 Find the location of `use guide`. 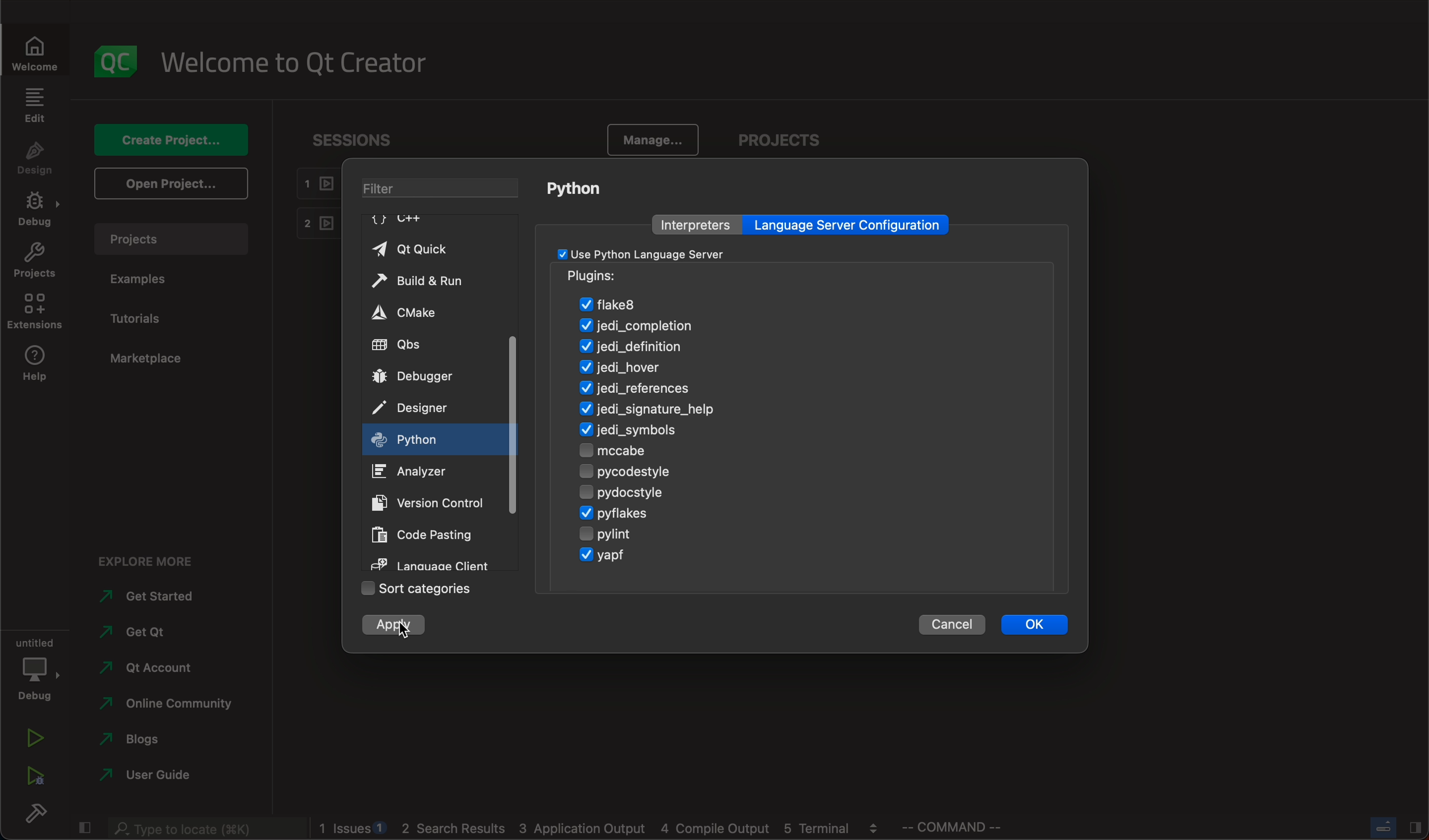

use guide is located at coordinates (148, 776).